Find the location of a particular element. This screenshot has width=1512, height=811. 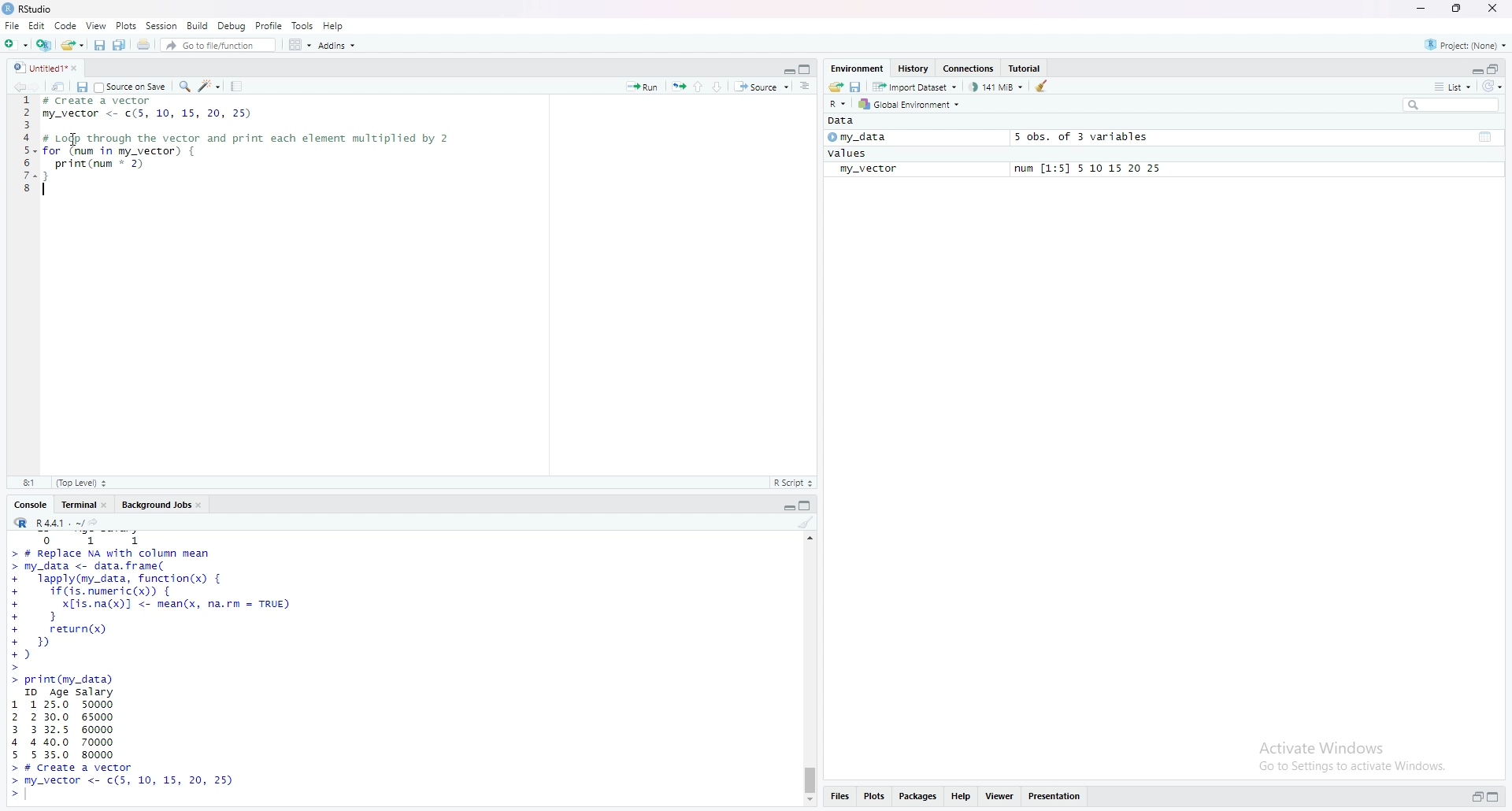

scrollbar is located at coordinates (810, 668).